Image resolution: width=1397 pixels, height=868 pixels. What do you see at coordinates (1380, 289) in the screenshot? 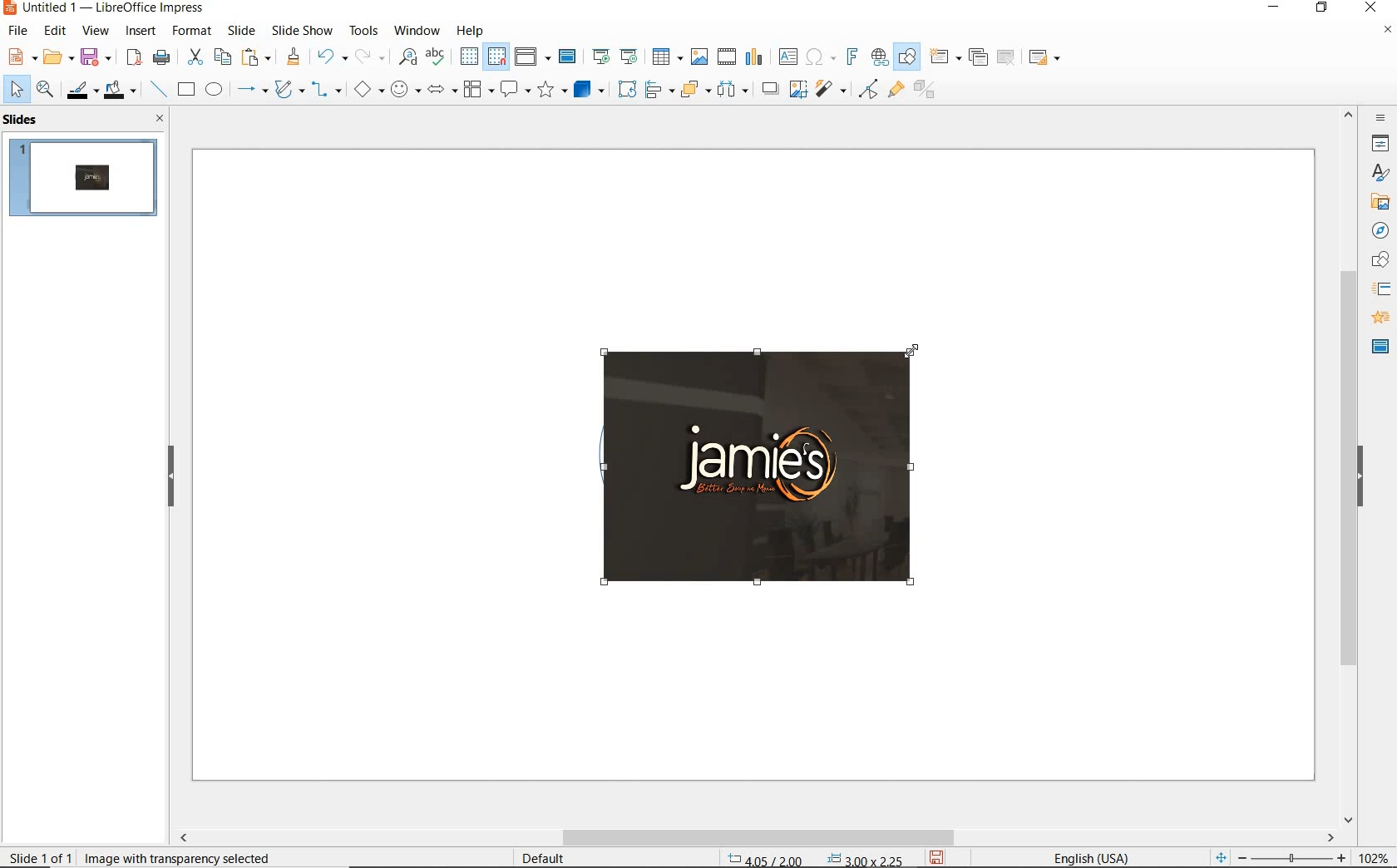
I see `slide transition` at bounding box center [1380, 289].